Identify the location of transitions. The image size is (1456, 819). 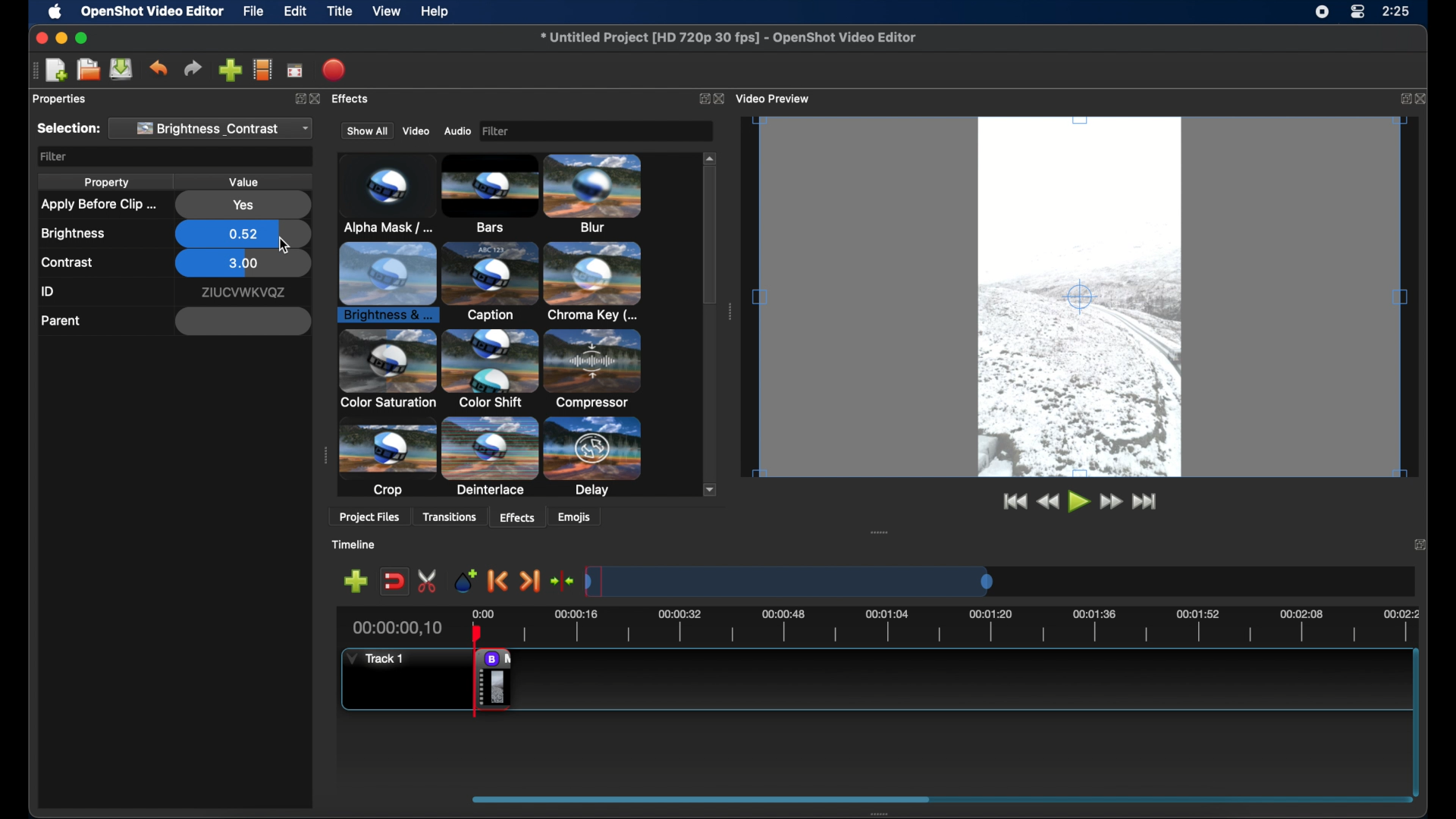
(454, 516).